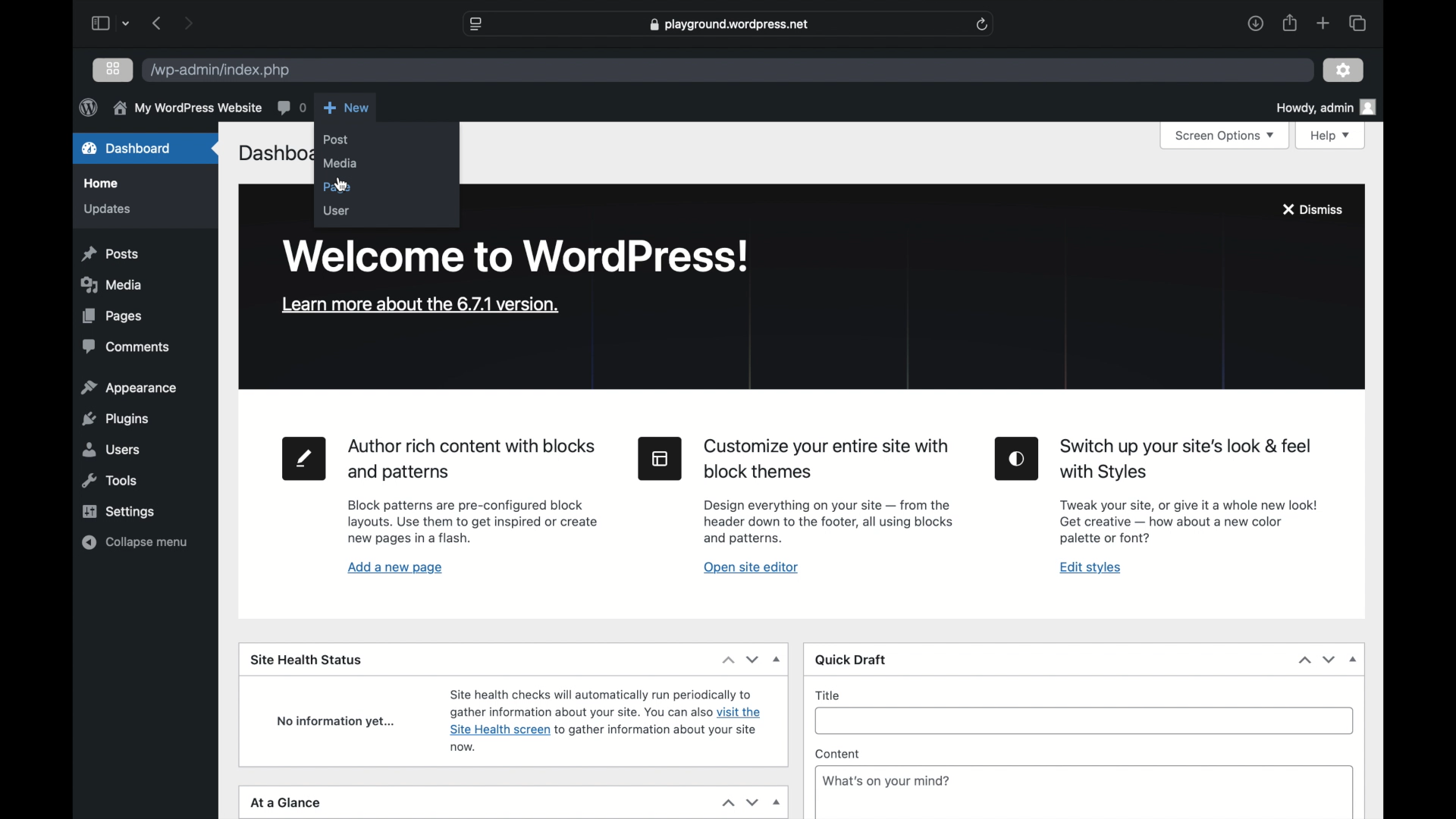 The height and width of the screenshot is (819, 1456). I want to click on stepper buttons, so click(740, 659).